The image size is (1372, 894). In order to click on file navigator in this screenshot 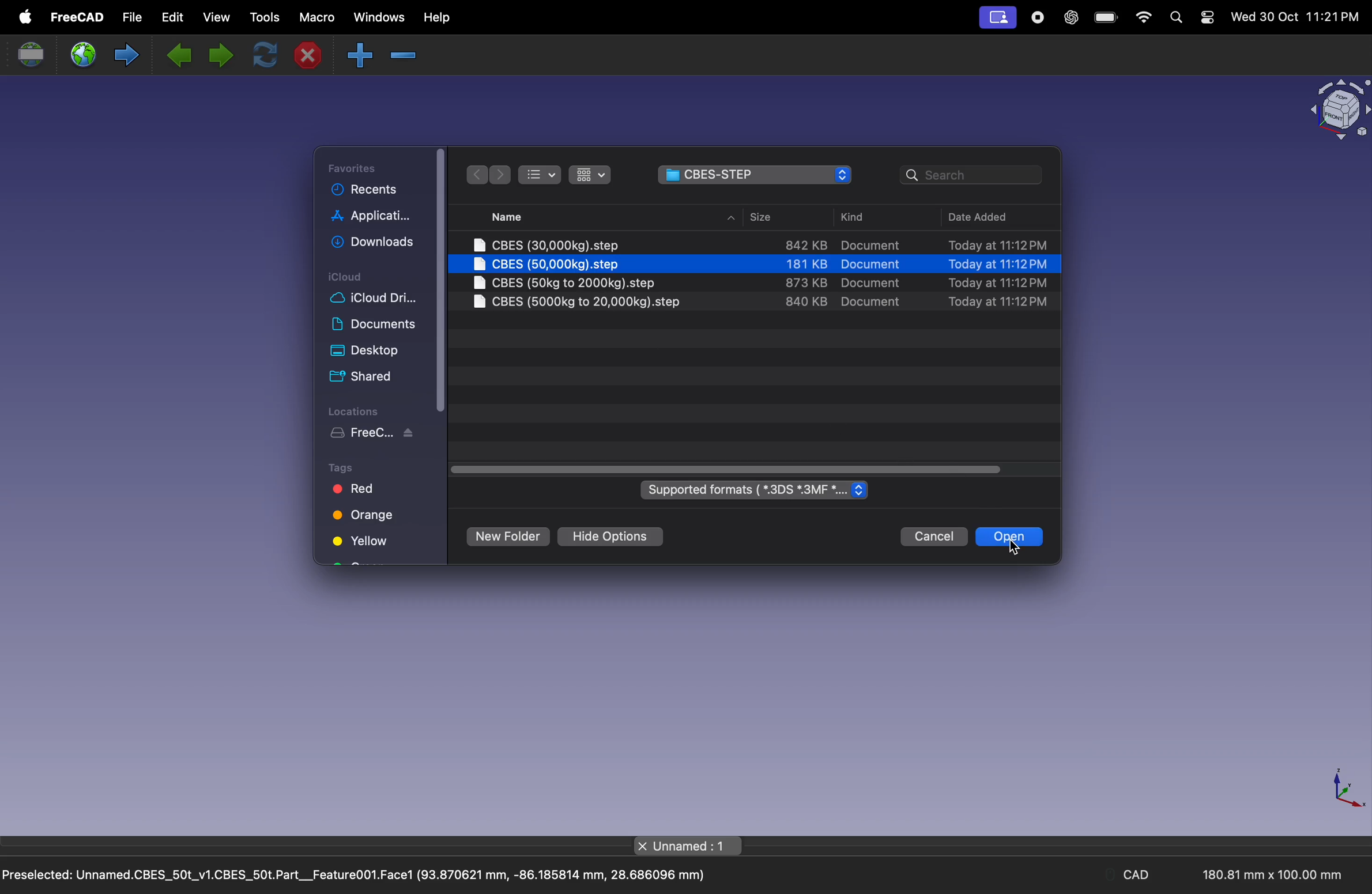, I will do `click(756, 175)`.